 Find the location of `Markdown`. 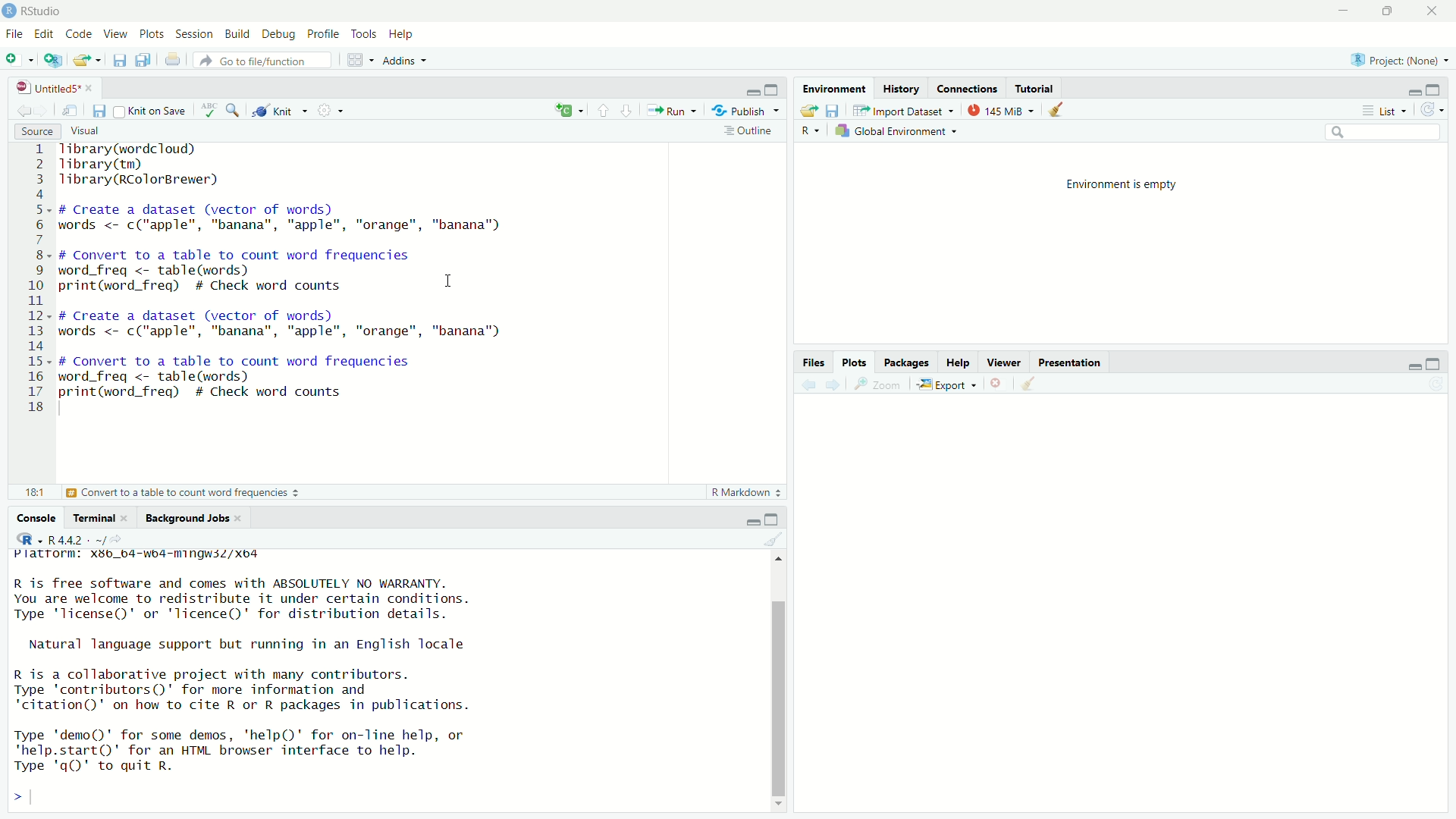

Markdown is located at coordinates (743, 493).